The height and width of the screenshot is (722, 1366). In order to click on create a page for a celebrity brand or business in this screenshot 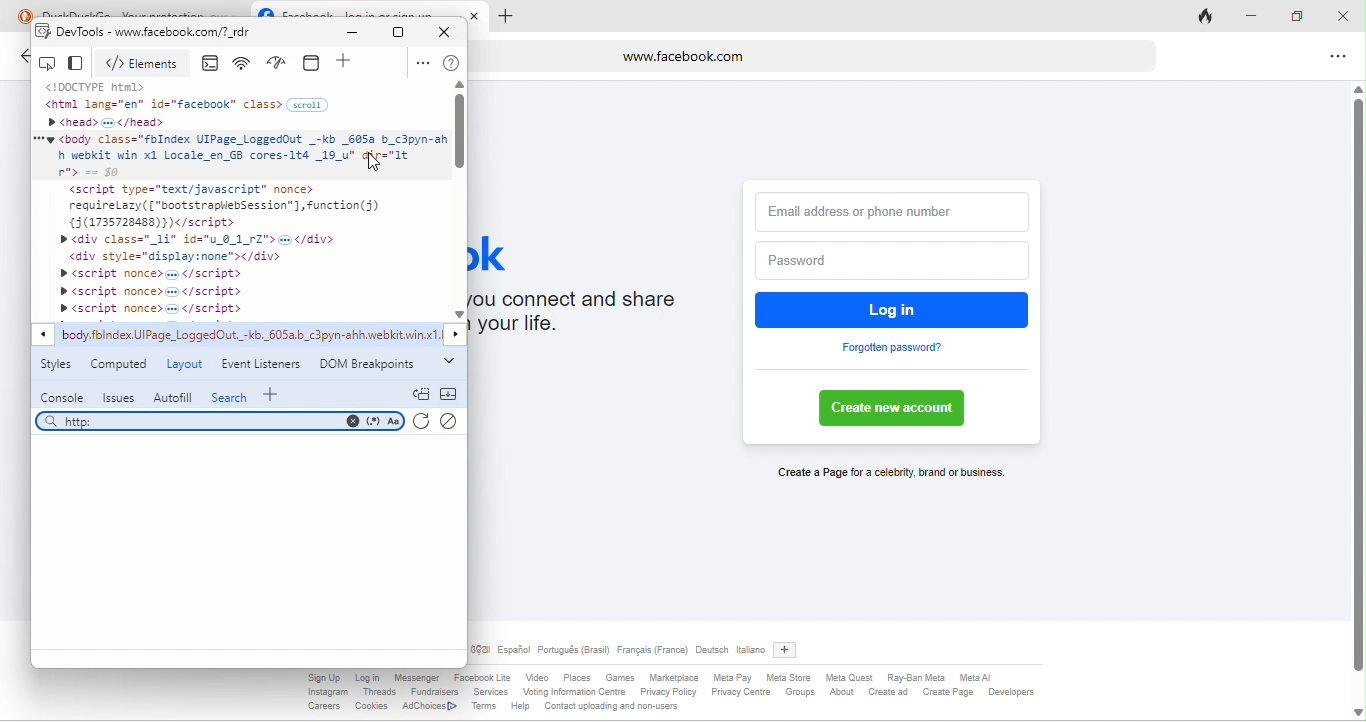, I will do `click(887, 474)`.